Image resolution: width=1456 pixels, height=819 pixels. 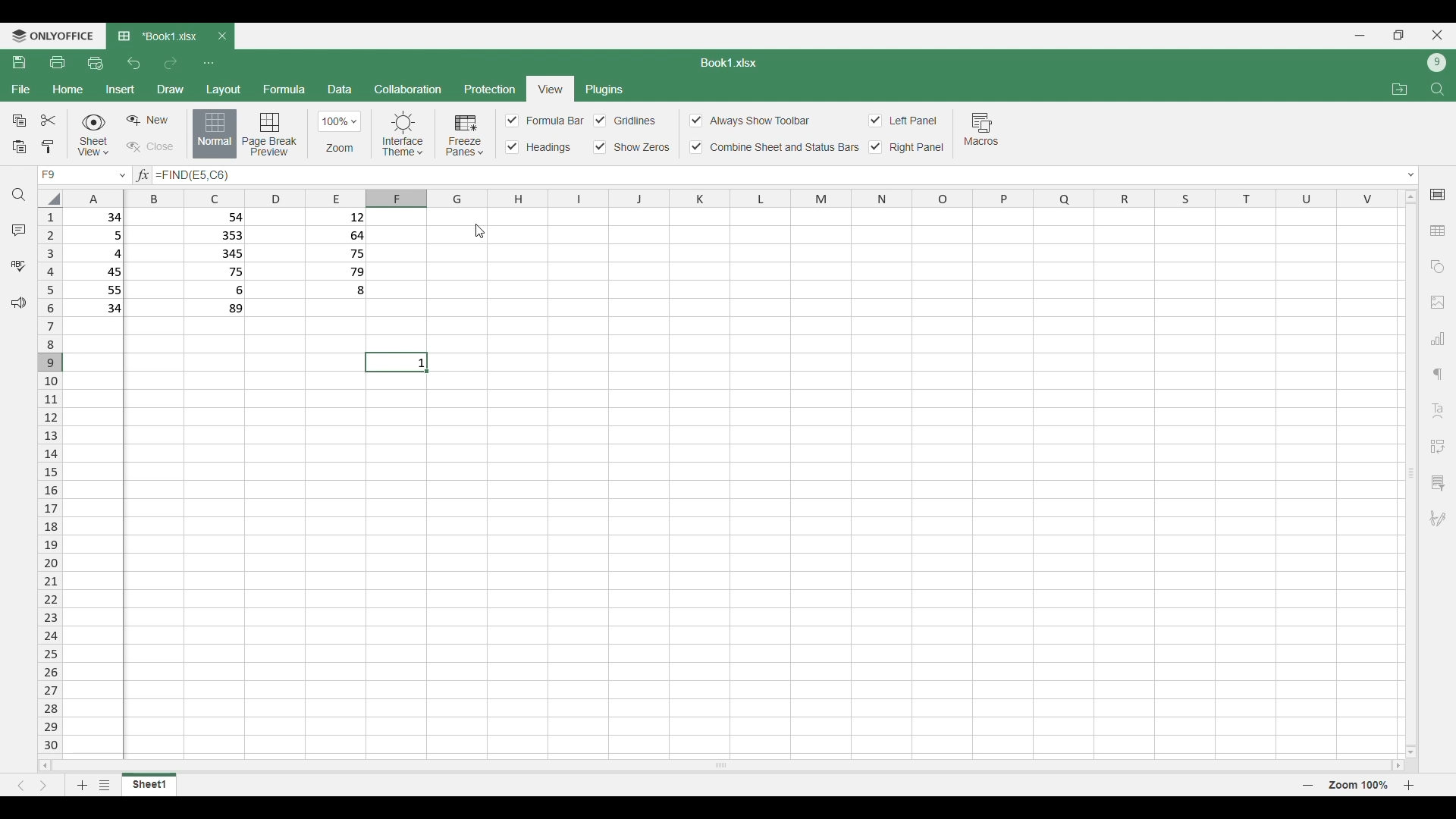 I want to click on Find, so click(x=1438, y=89).